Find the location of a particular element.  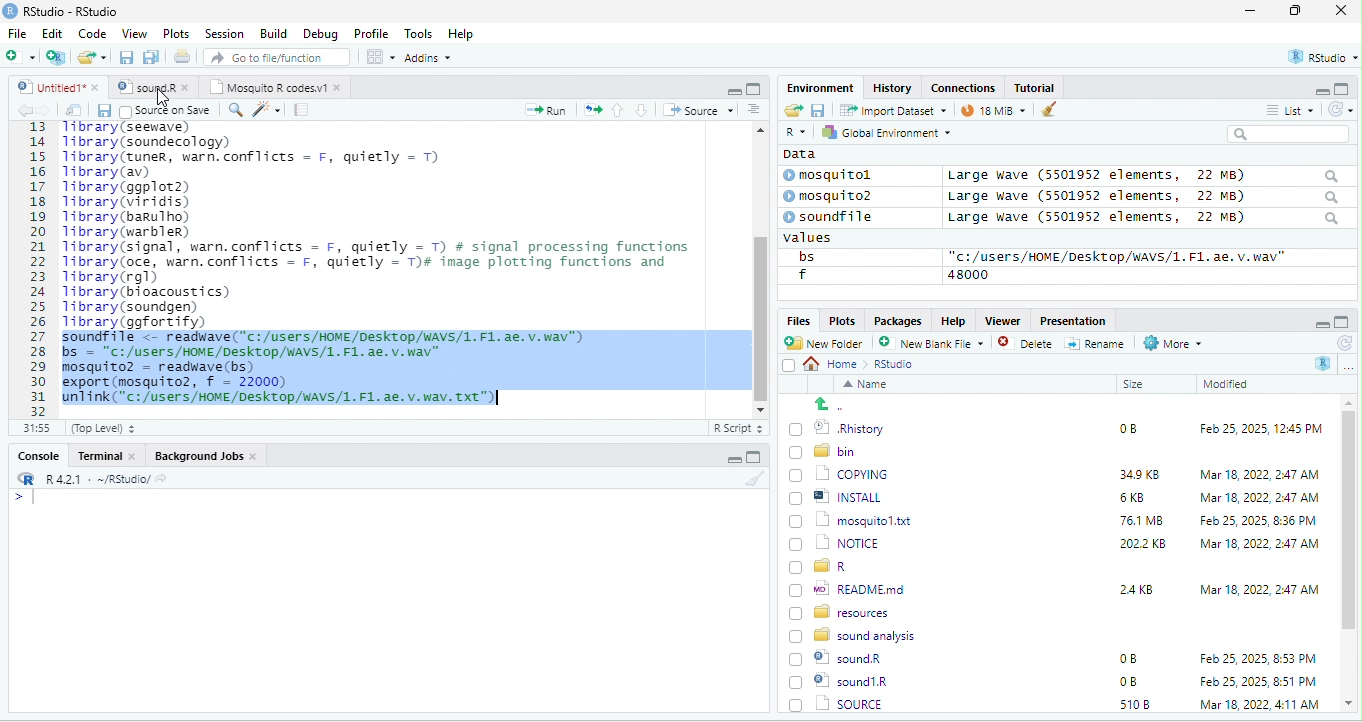

“c:/users/HOME /Desktop/WAVS/1.F1. ae. v.wav" is located at coordinates (1117, 256).